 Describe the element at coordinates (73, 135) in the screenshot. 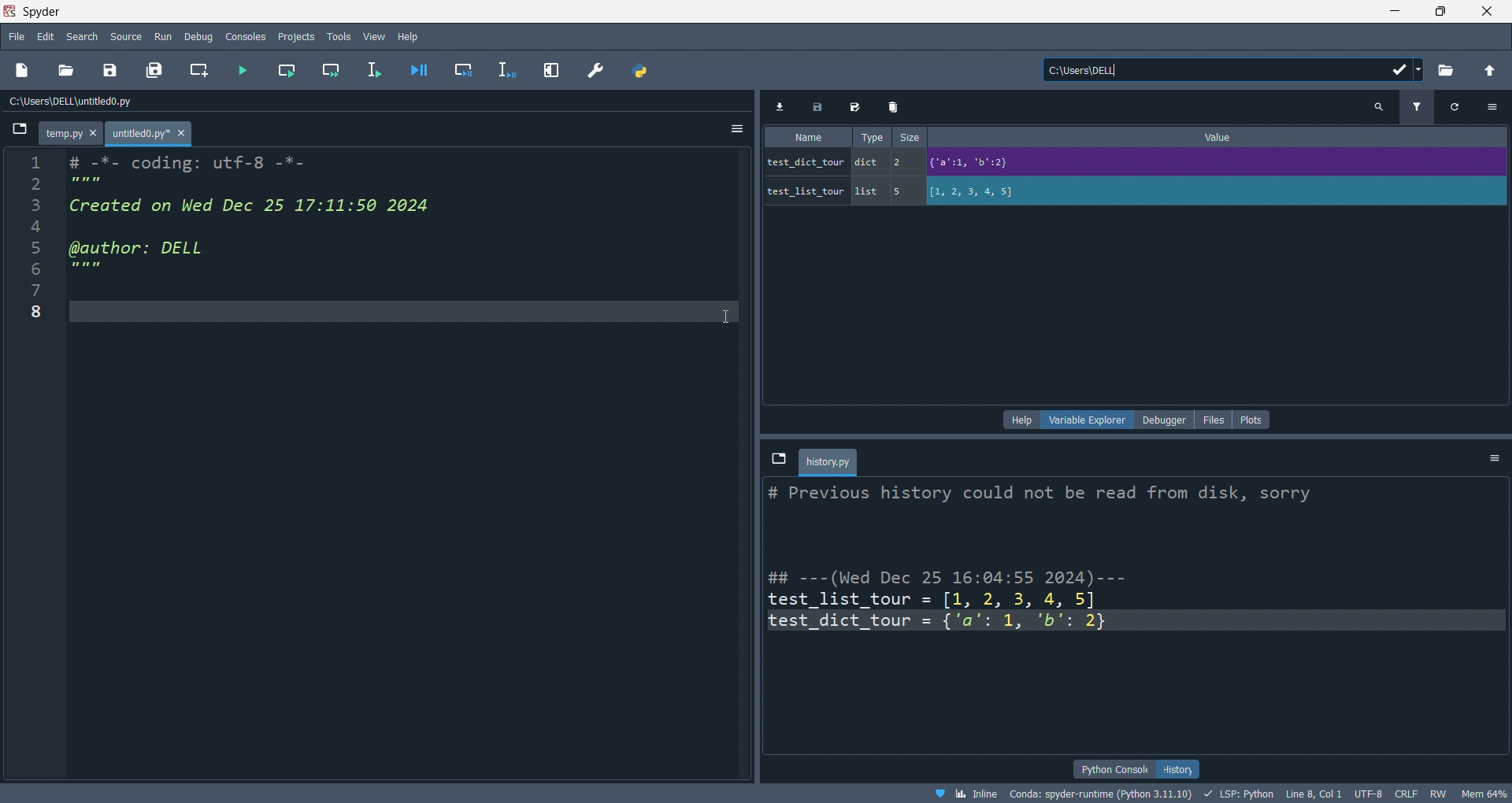

I see `temp.py` at that location.